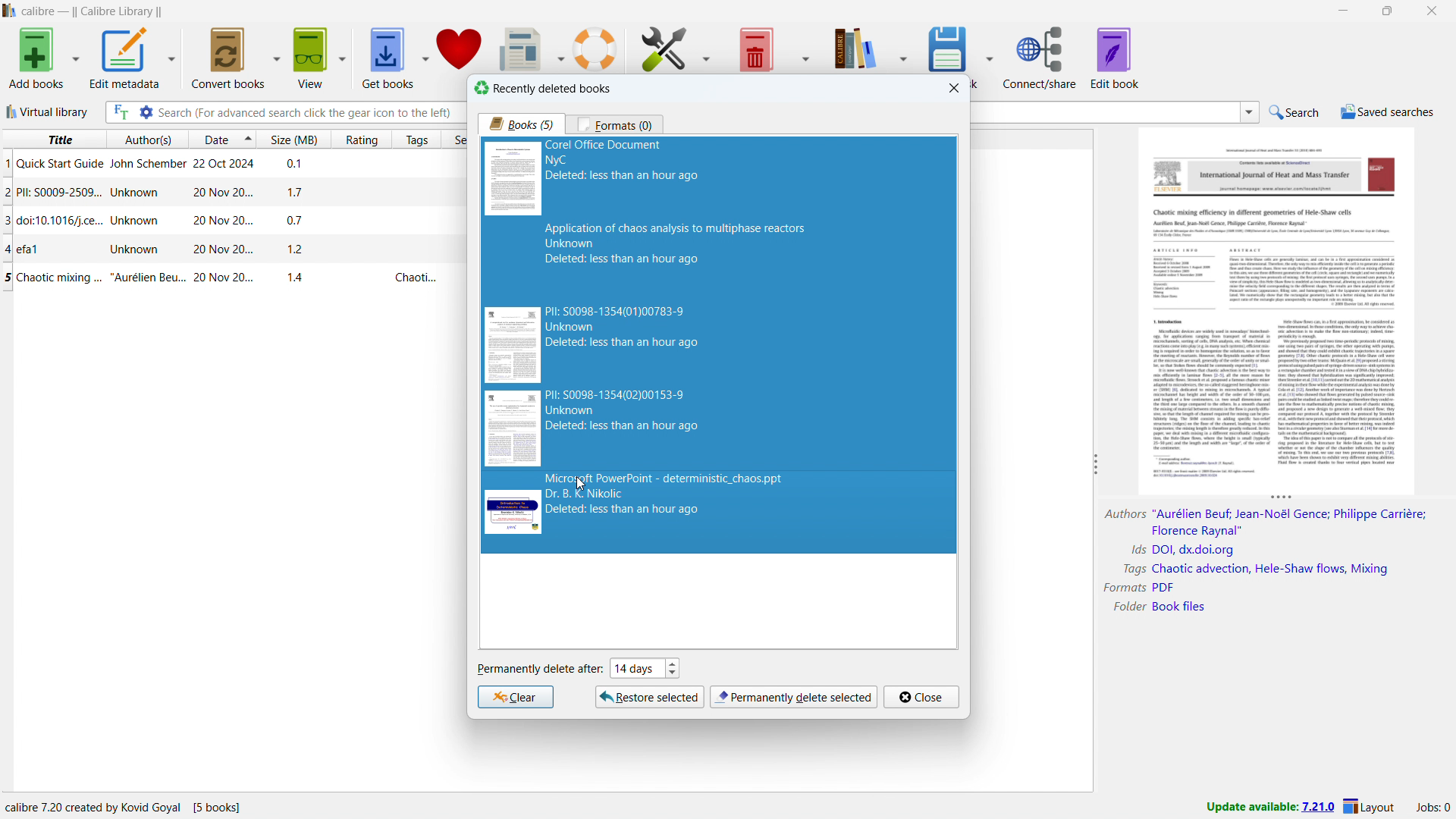  What do you see at coordinates (225, 249) in the screenshot?
I see `single book entry` at bounding box center [225, 249].